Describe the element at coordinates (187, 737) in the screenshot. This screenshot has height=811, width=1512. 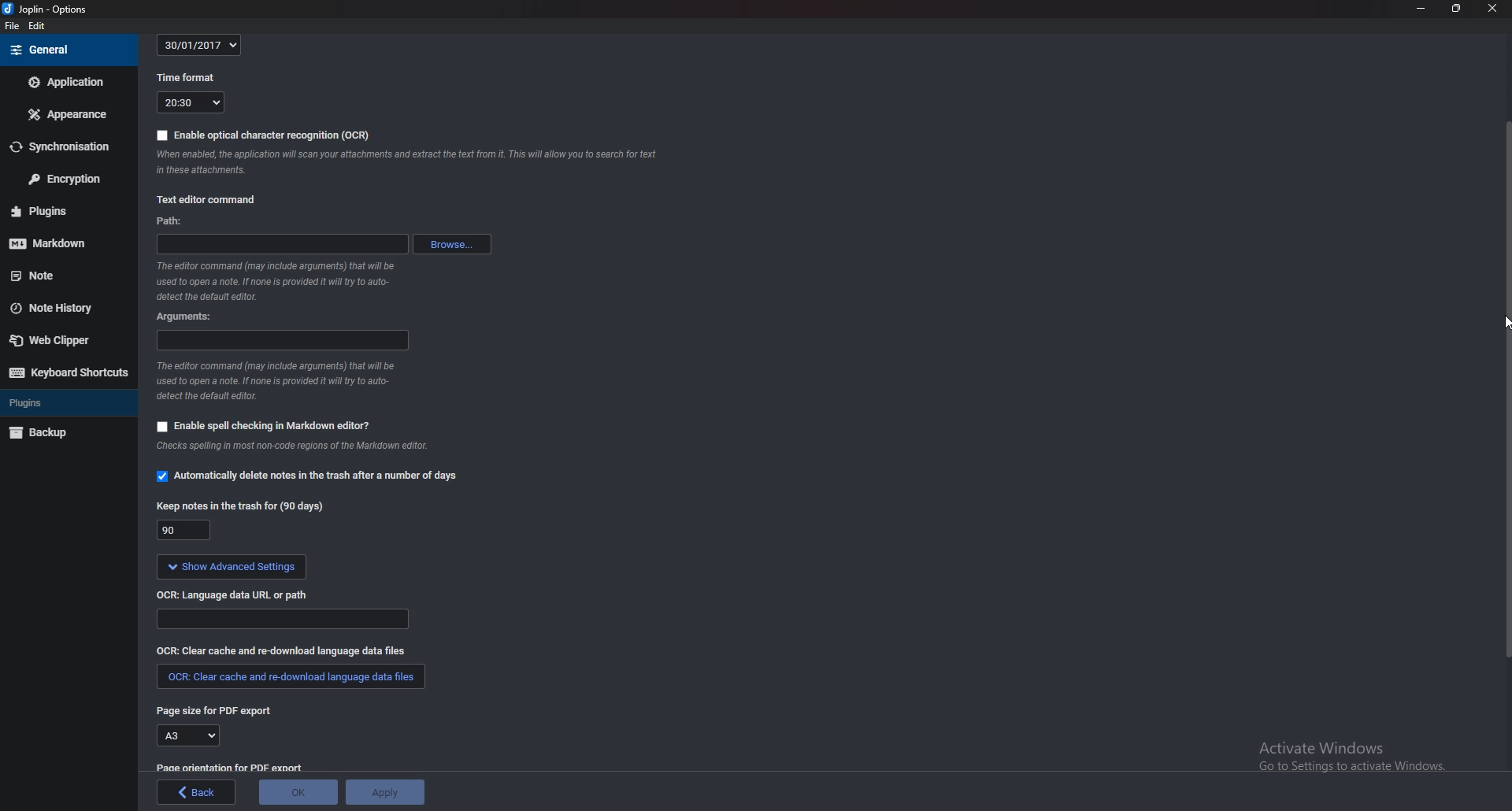
I see `A3` at that location.